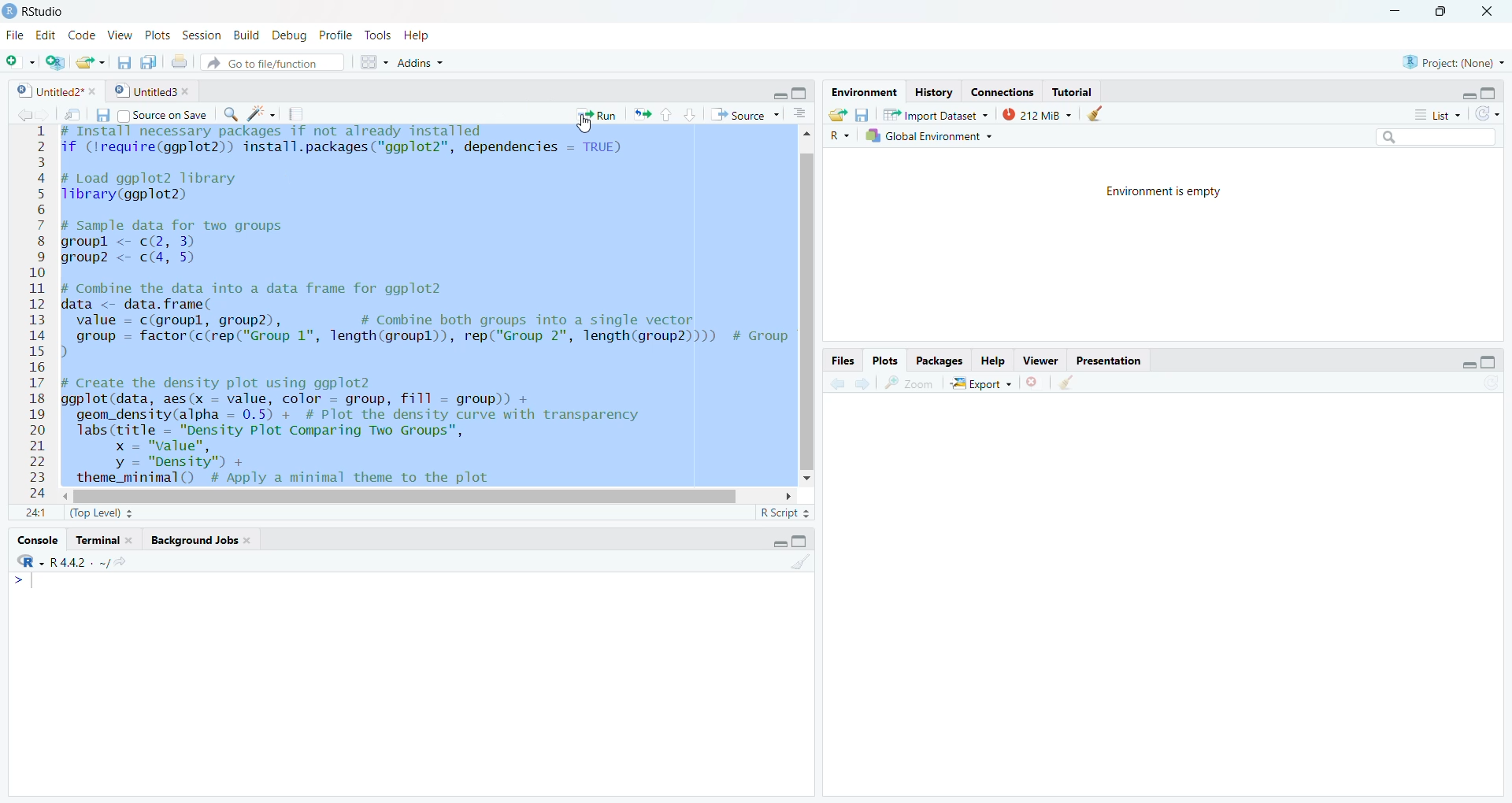 Image resolution: width=1512 pixels, height=803 pixels. Describe the element at coordinates (1489, 115) in the screenshot. I see `redo` at that location.